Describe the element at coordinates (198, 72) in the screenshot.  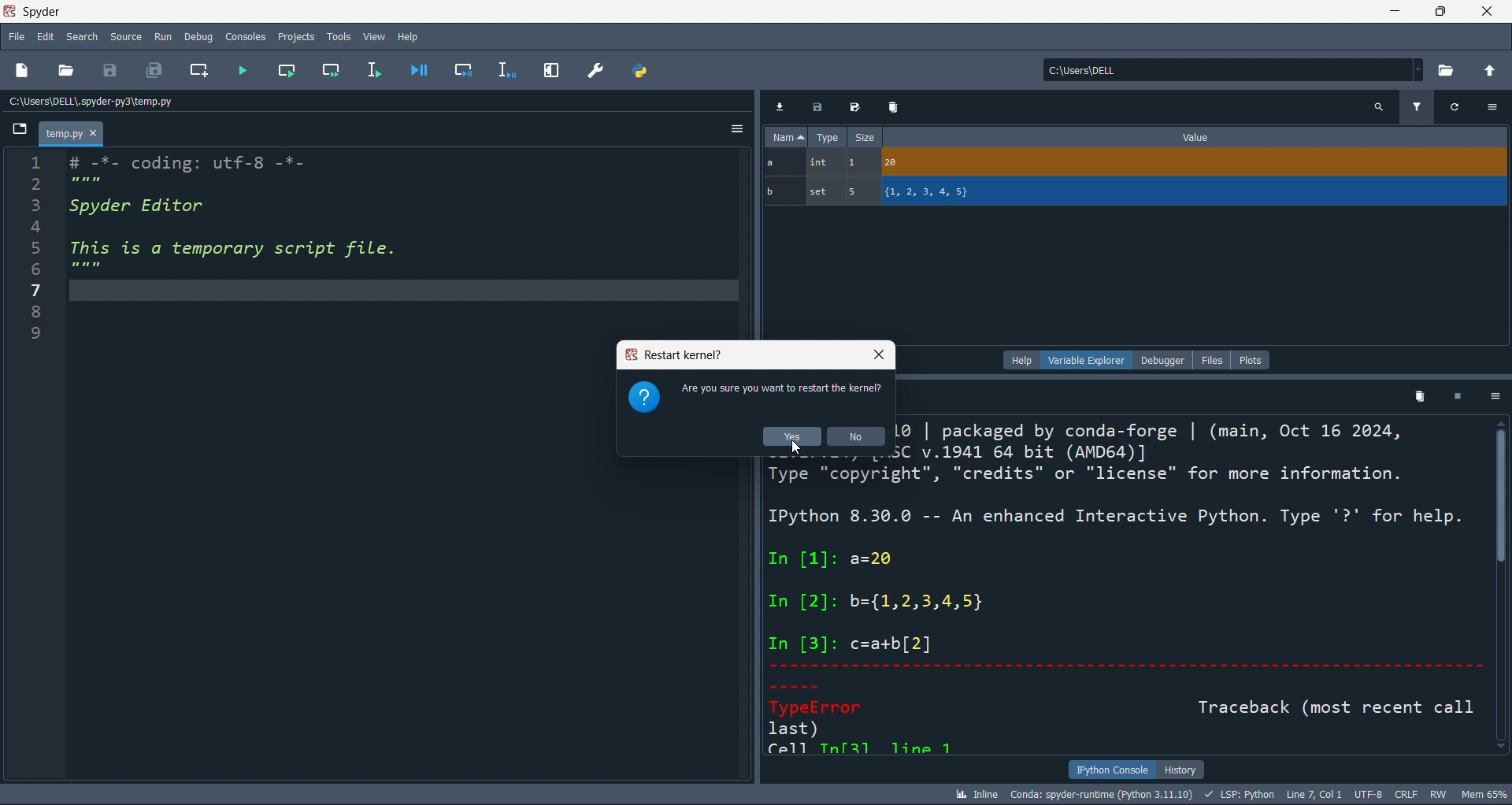
I see `new cell` at that location.